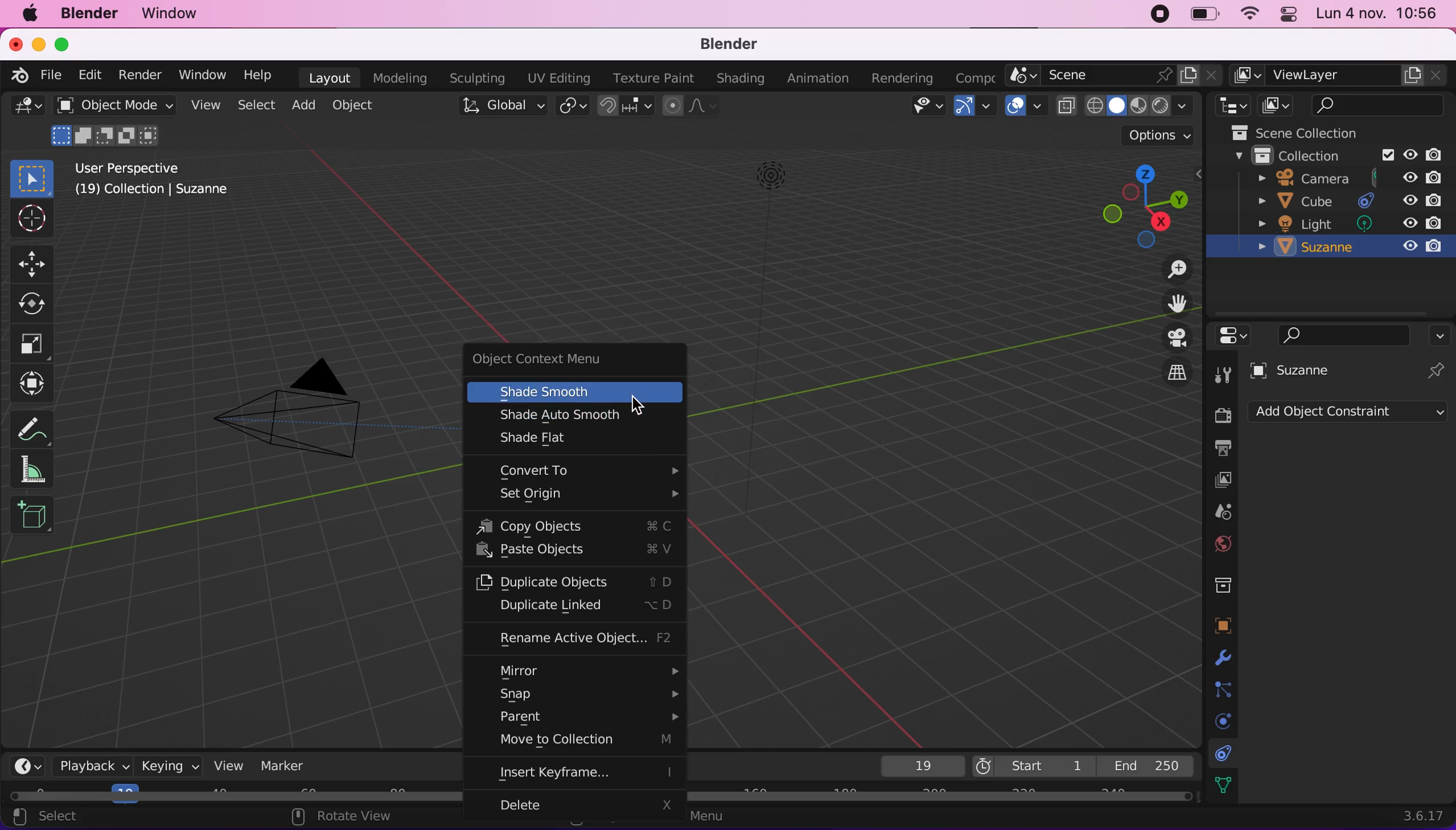  What do you see at coordinates (1221, 654) in the screenshot?
I see `modifiers` at bounding box center [1221, 654].